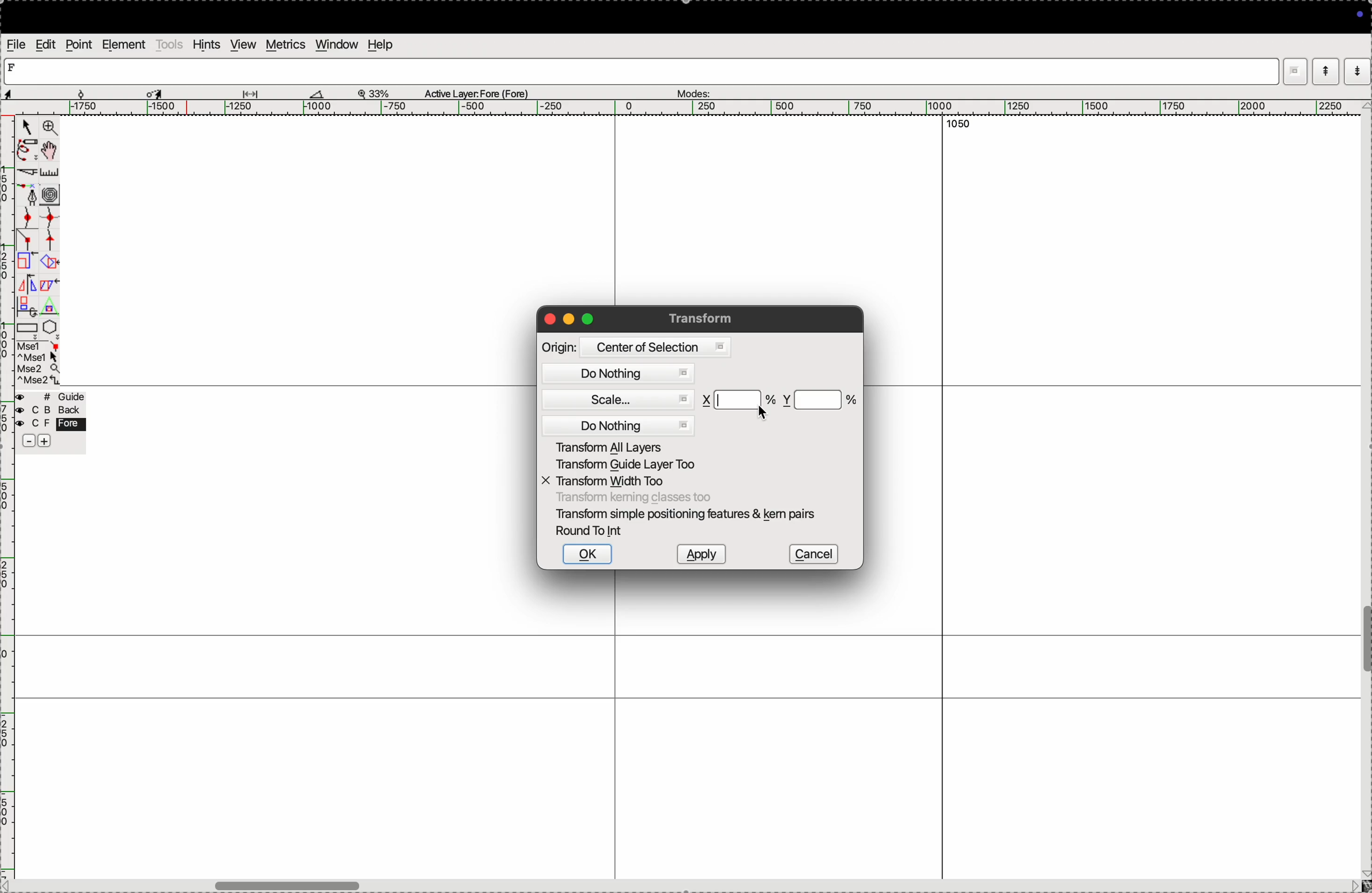  What do you see at coordinates (156, 92) in the screenshot?
I see `cursor selected` at bounding box center [156, 92].